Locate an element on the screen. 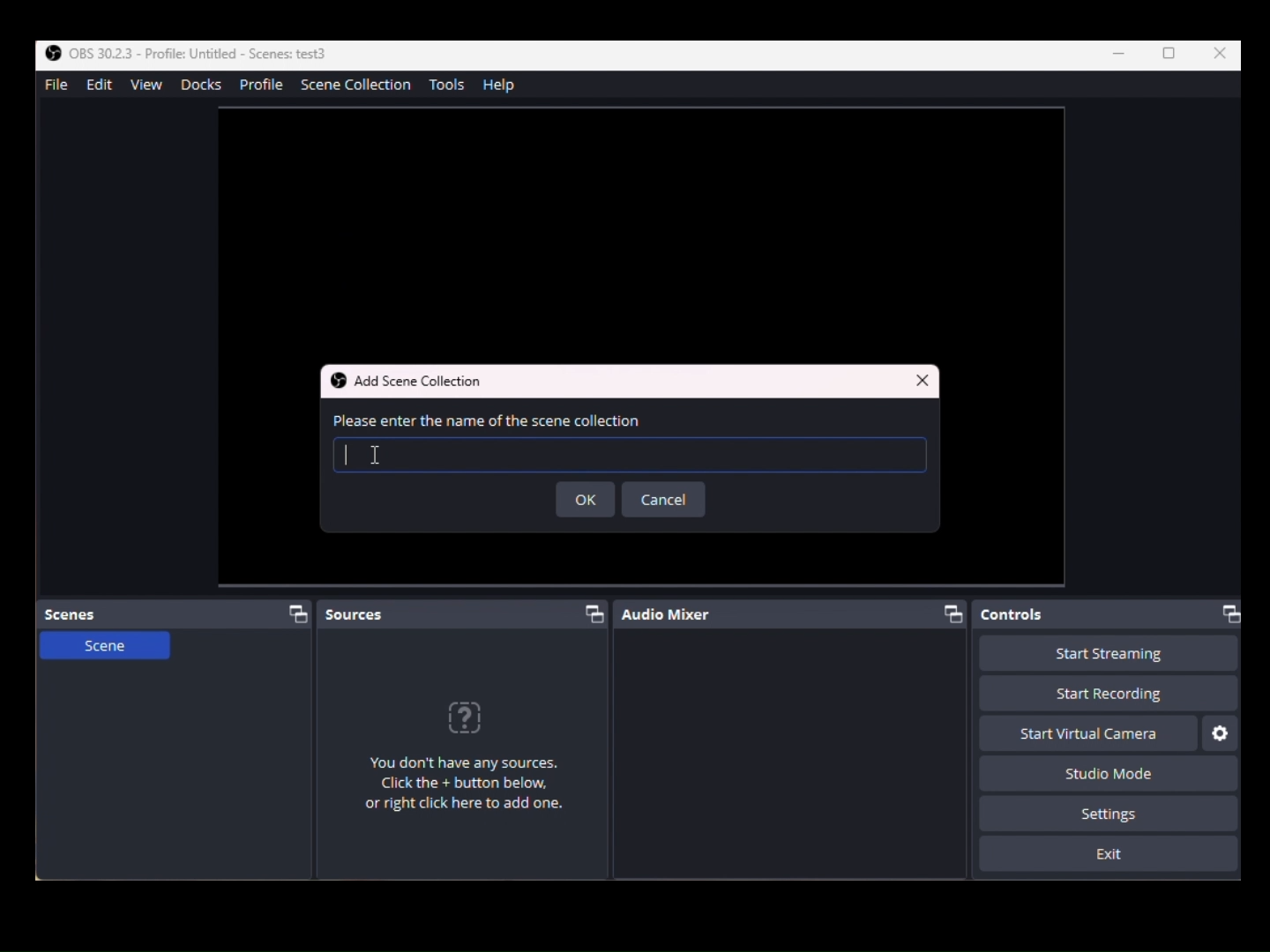  cursor is located at coordinates (373, 455).